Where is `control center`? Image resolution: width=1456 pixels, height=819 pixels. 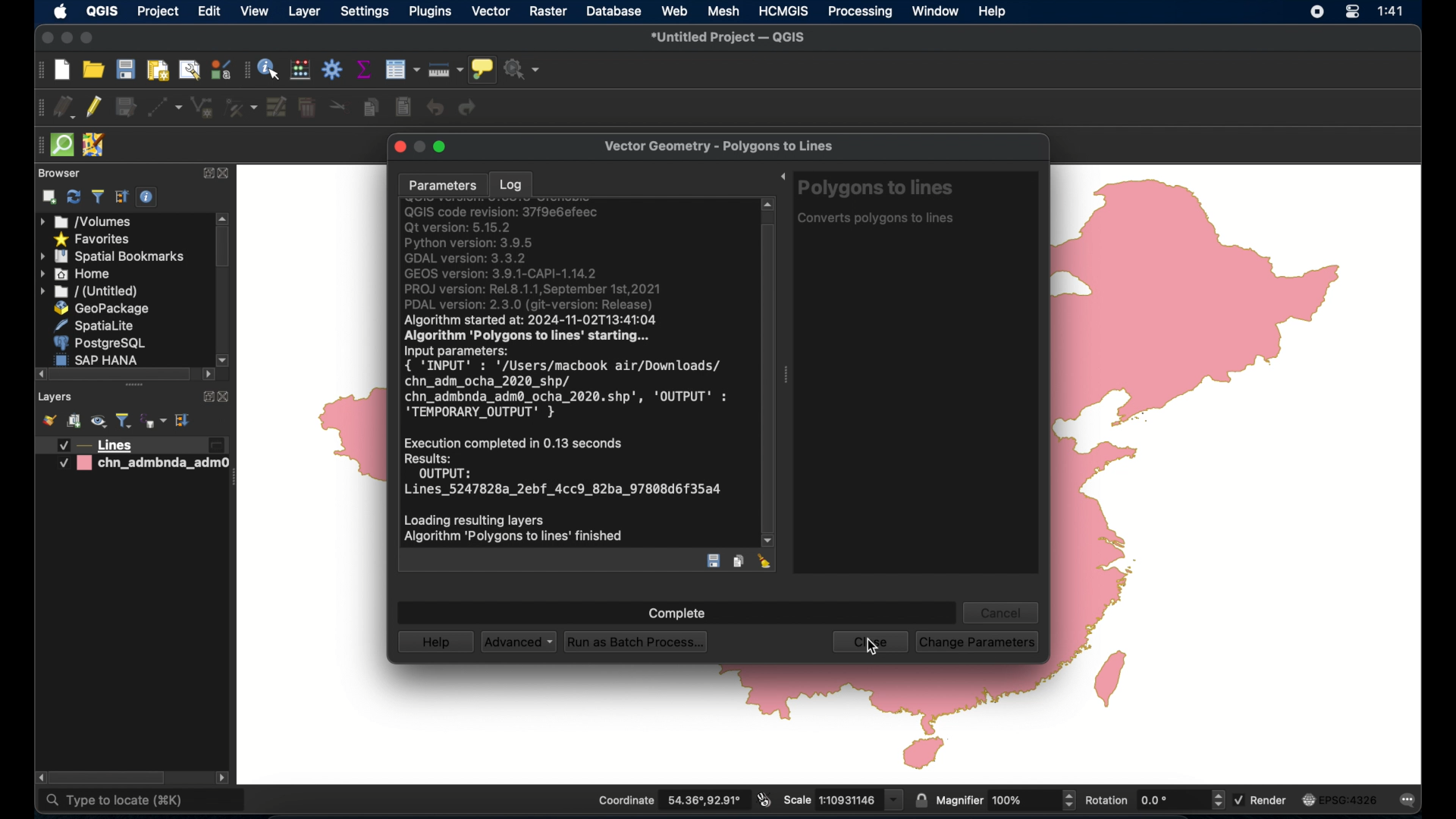 control center is located at coordinates (1351, 14).